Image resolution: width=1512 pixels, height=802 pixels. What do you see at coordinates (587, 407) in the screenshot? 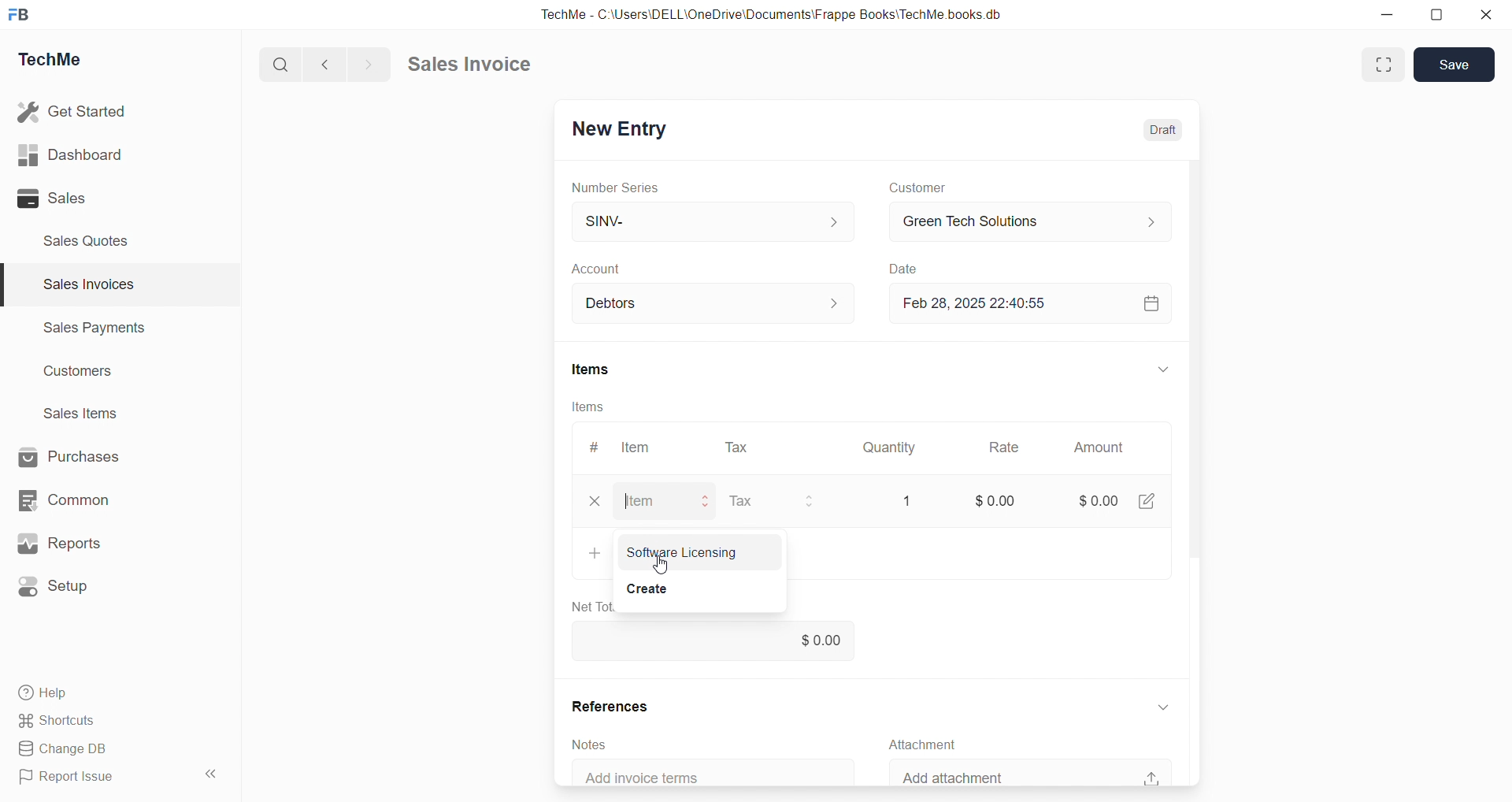
I see `Items` at bounding box center [587, 407].